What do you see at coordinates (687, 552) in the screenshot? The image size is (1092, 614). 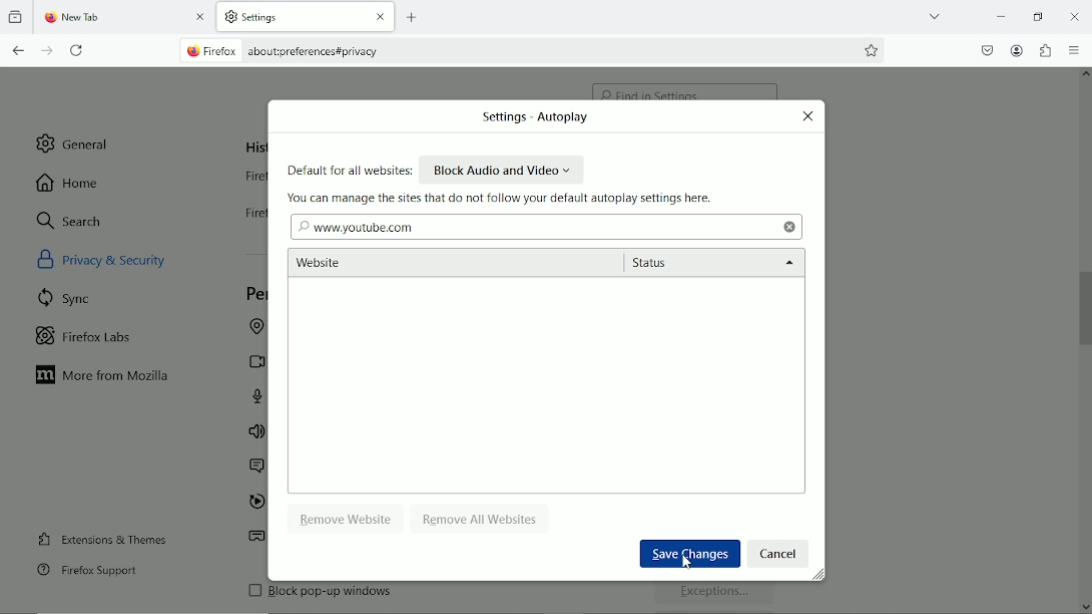 I see `save changes` at bounding box center [687, 552].